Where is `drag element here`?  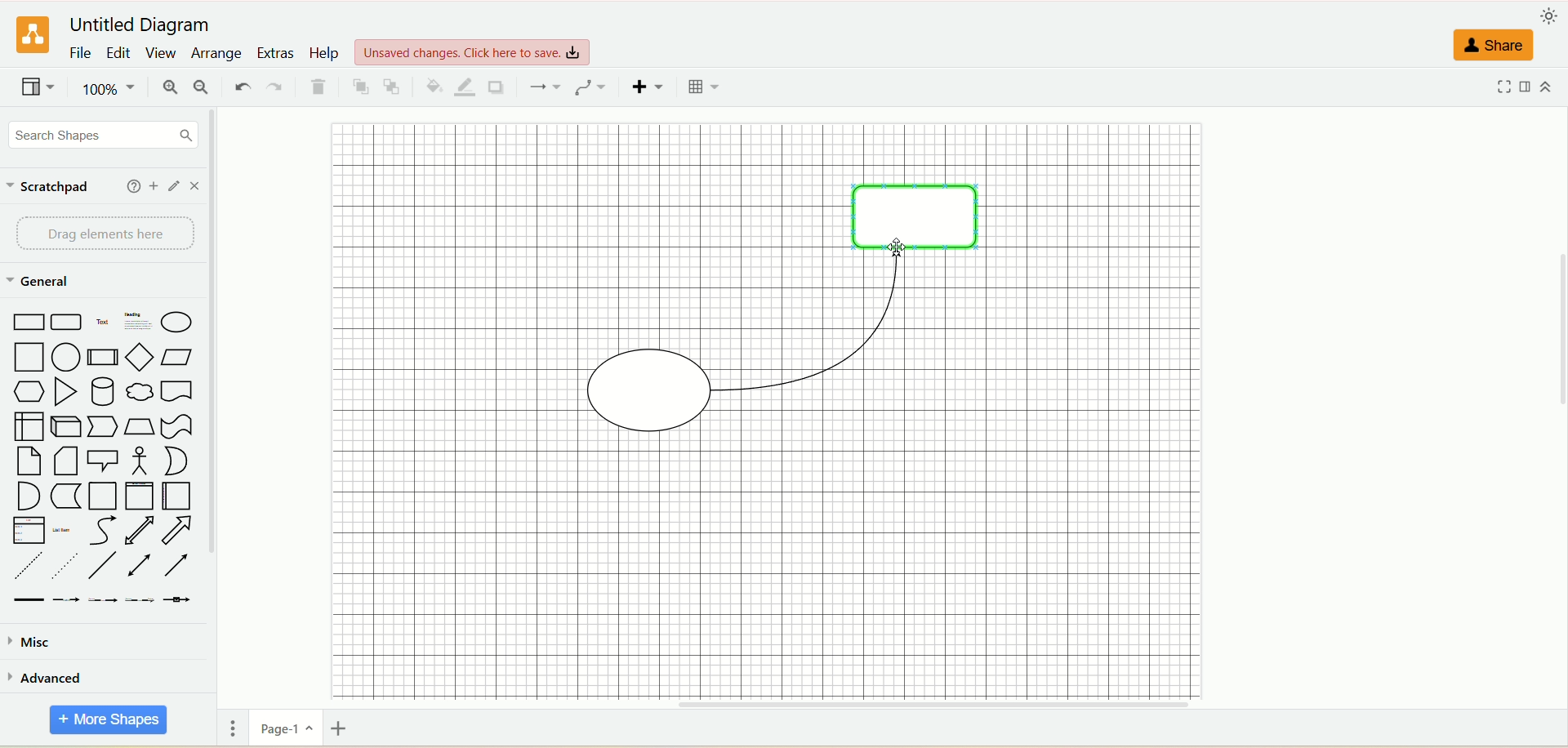
drag element here is located at coordinates (96, 233).